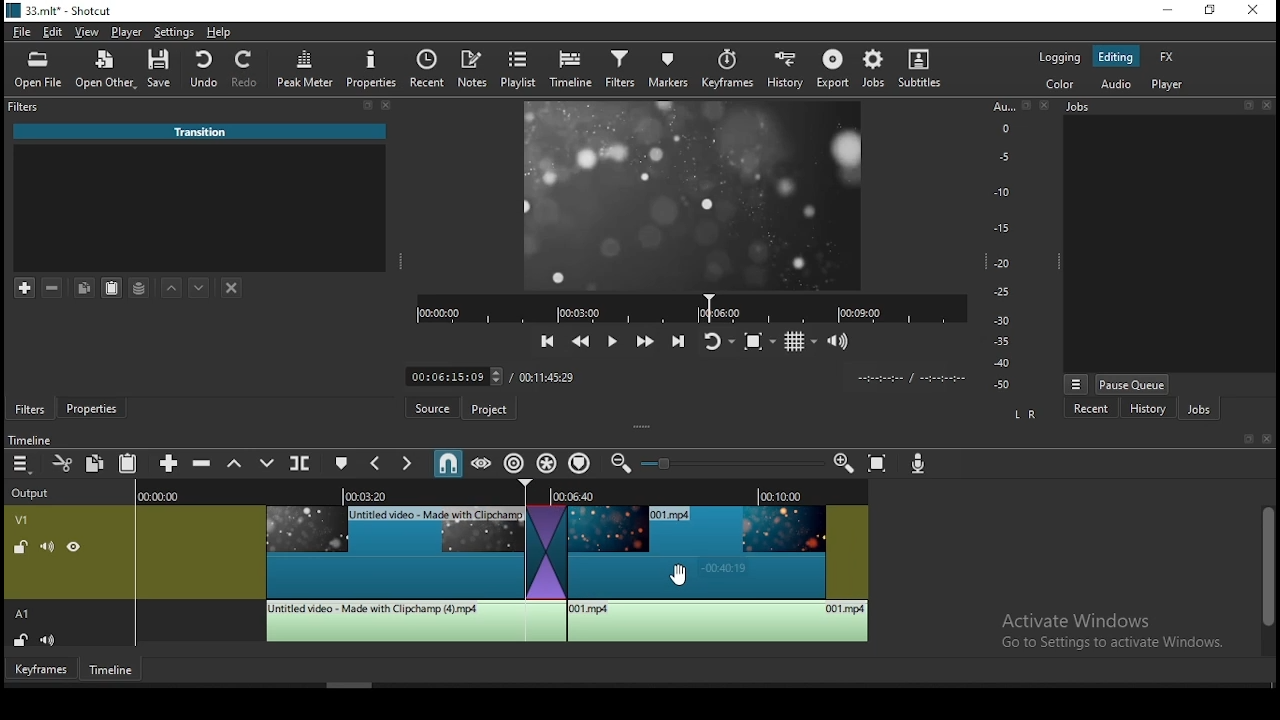 Image resolution: width=1280 pixels, height=720 pixels. I want to click on save filter sets, so click(143, 290).